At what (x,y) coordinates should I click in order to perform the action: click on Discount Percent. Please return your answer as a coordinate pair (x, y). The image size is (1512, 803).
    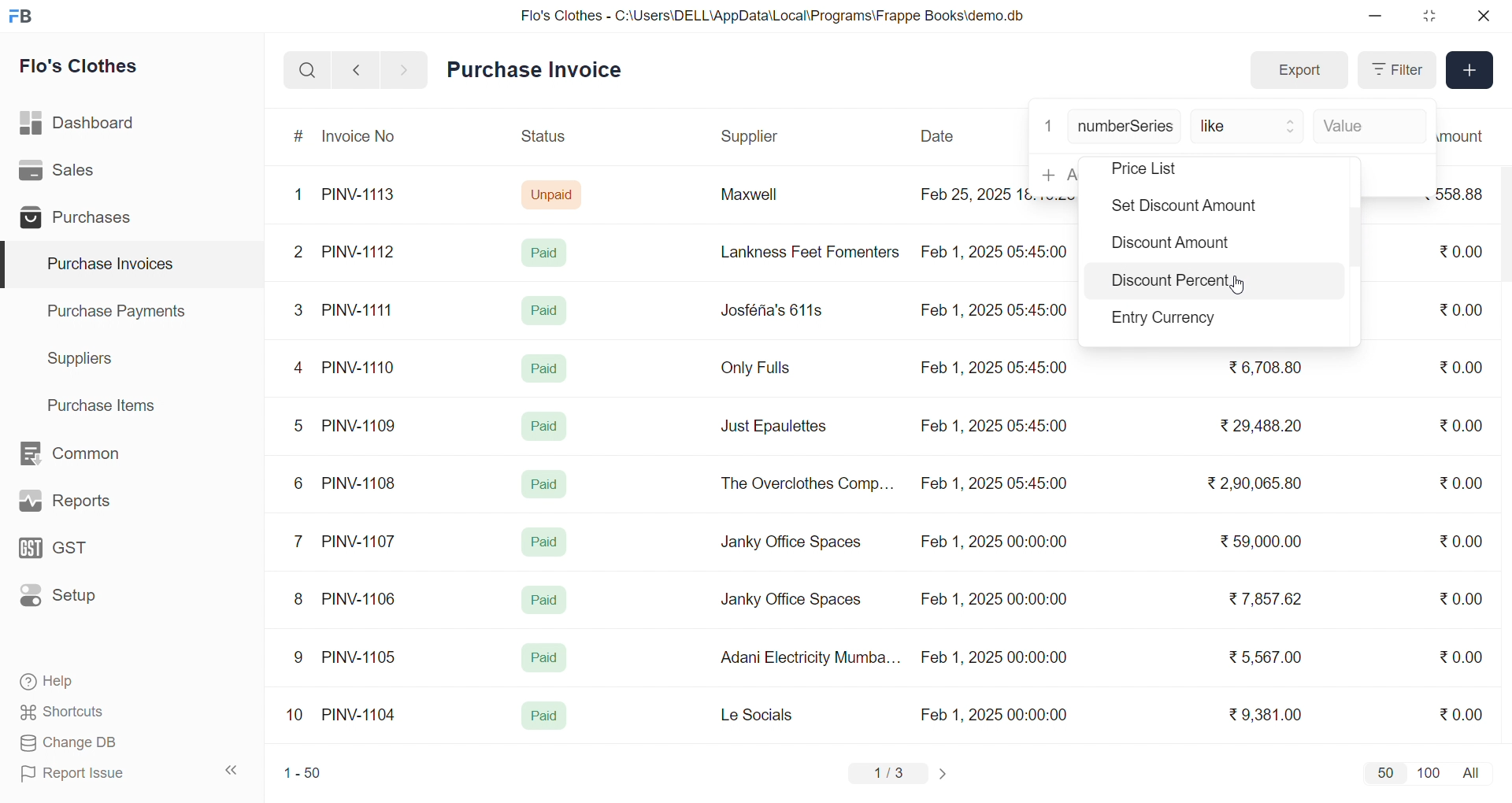
    Looking at the image, I should click on (1172, 283).